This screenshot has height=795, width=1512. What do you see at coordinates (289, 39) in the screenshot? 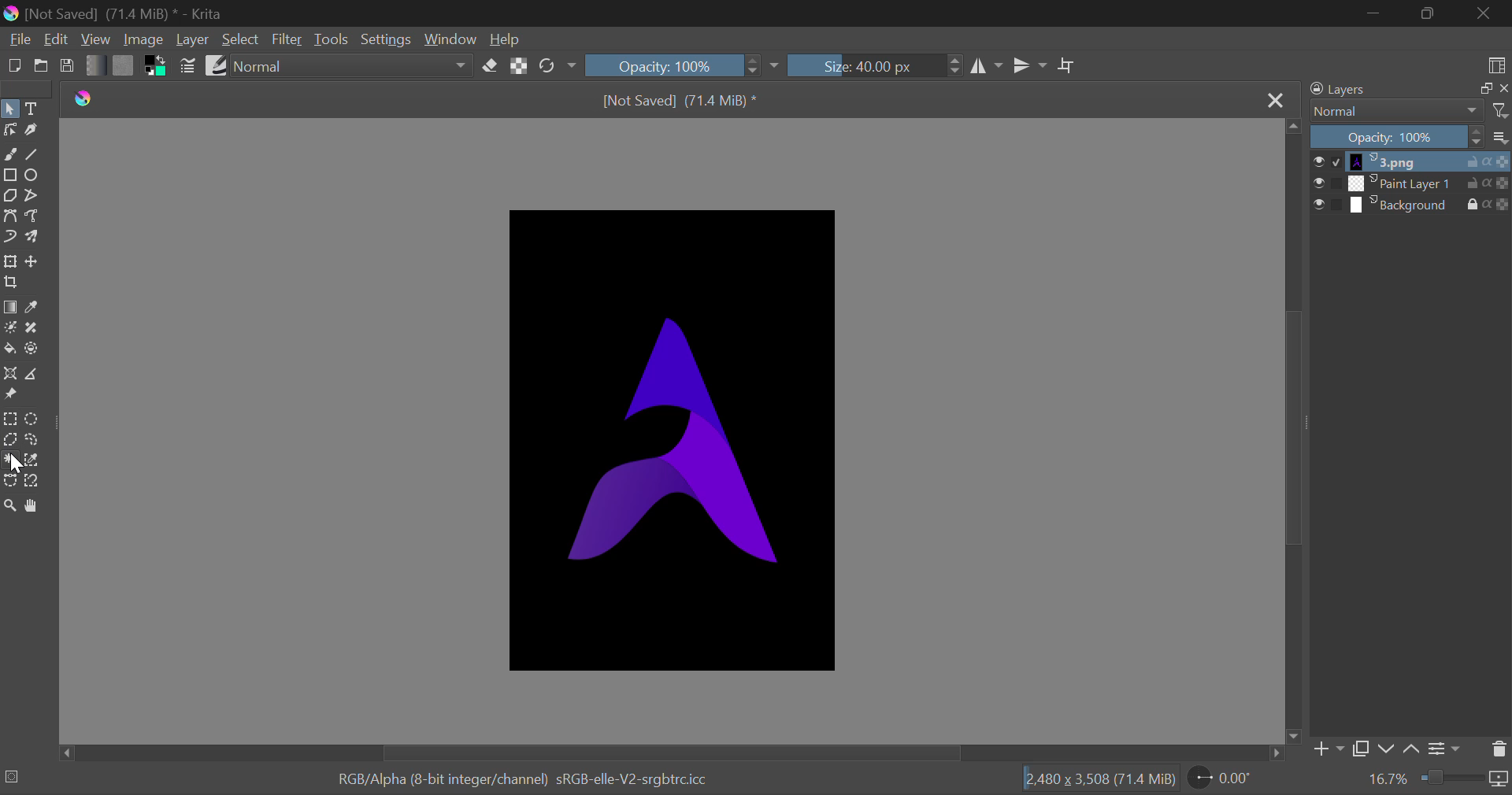
I see `Filter` at bounding box center [289, 39].